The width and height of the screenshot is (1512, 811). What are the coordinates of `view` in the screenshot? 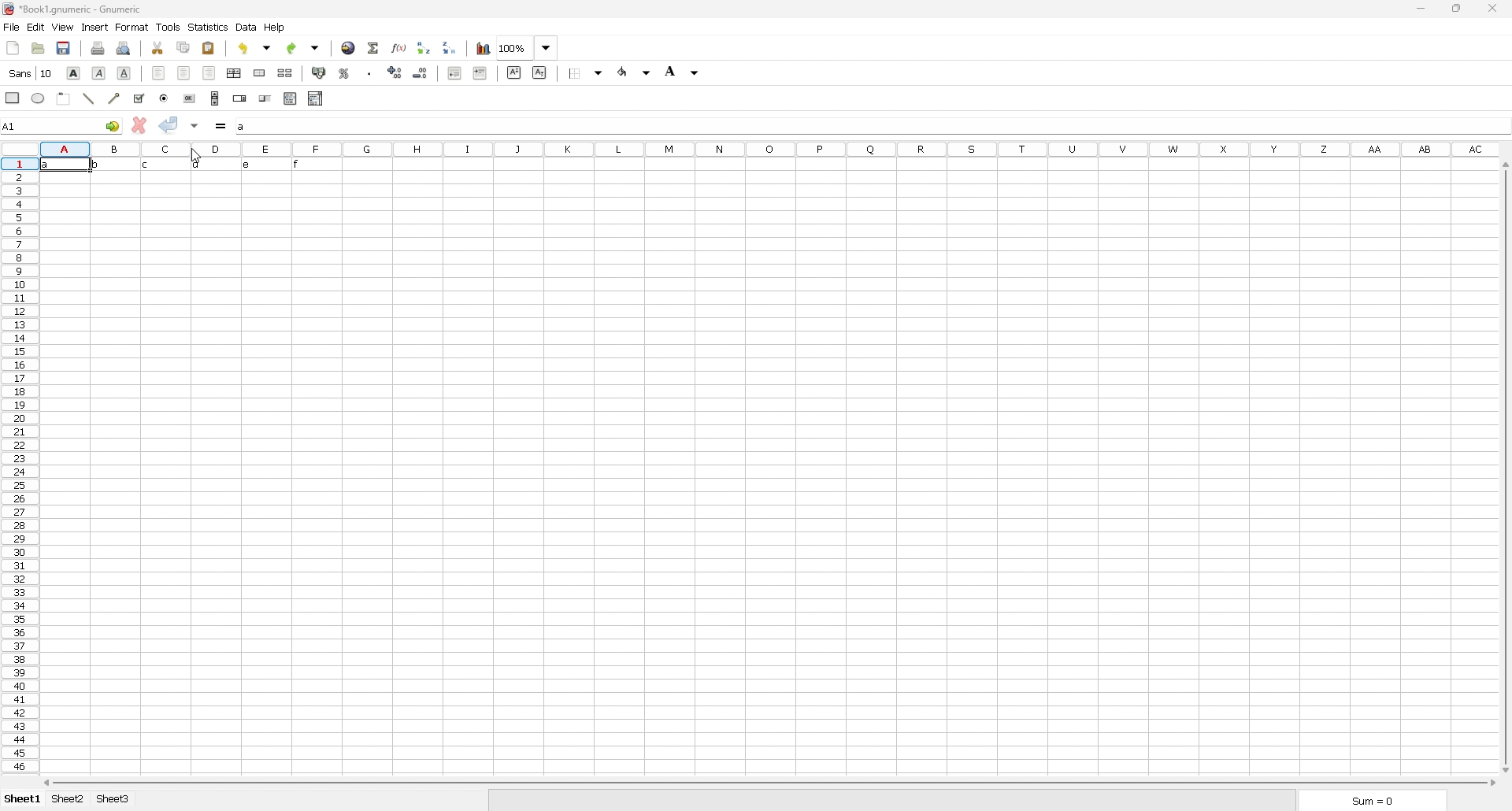 It's located at (63, 27).